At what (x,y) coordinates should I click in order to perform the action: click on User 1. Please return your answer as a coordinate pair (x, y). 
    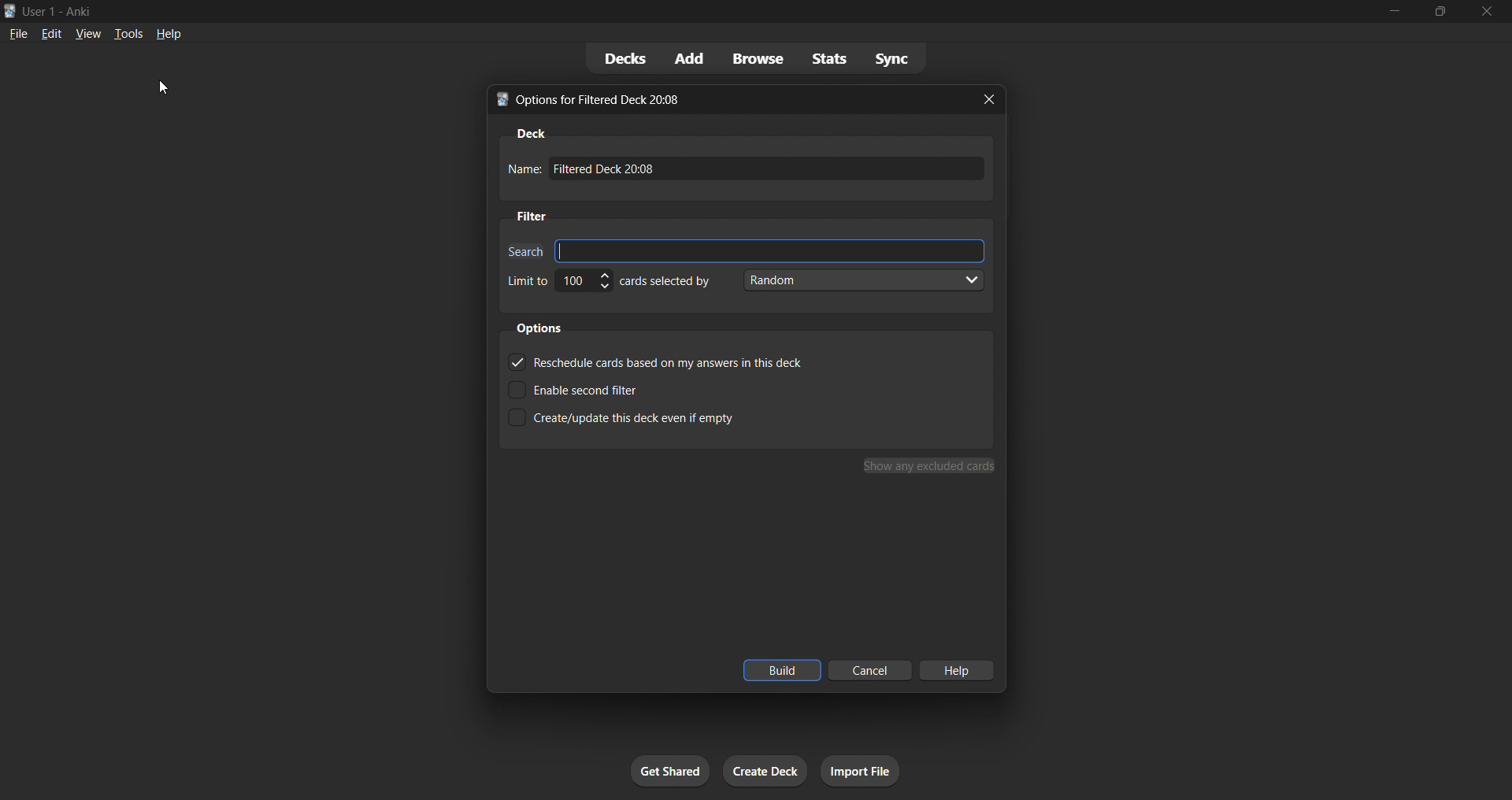
    Looking at the image, I should click on (39, 10).